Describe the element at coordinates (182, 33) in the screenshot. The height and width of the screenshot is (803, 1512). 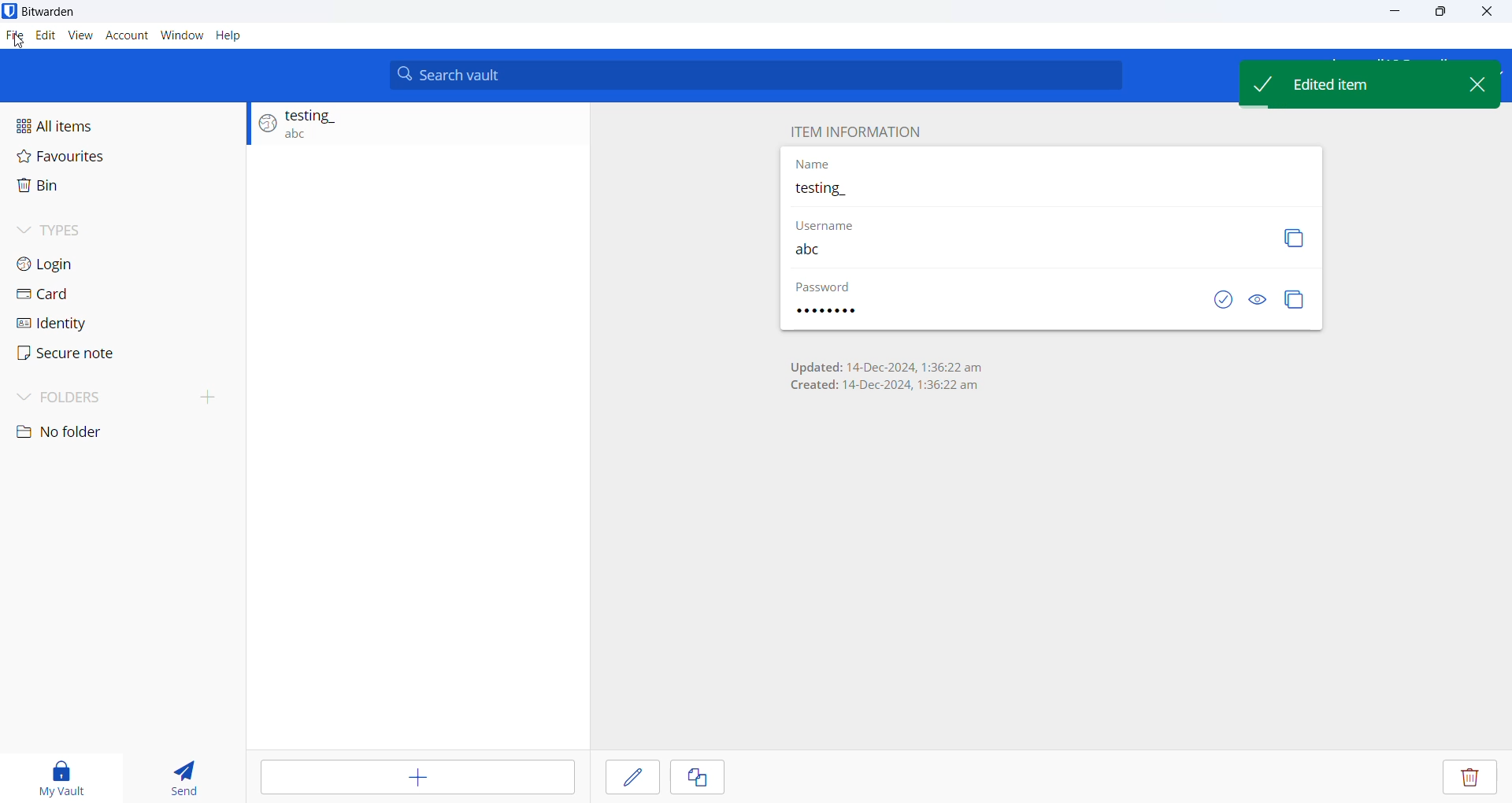
I see `Window` at that location.